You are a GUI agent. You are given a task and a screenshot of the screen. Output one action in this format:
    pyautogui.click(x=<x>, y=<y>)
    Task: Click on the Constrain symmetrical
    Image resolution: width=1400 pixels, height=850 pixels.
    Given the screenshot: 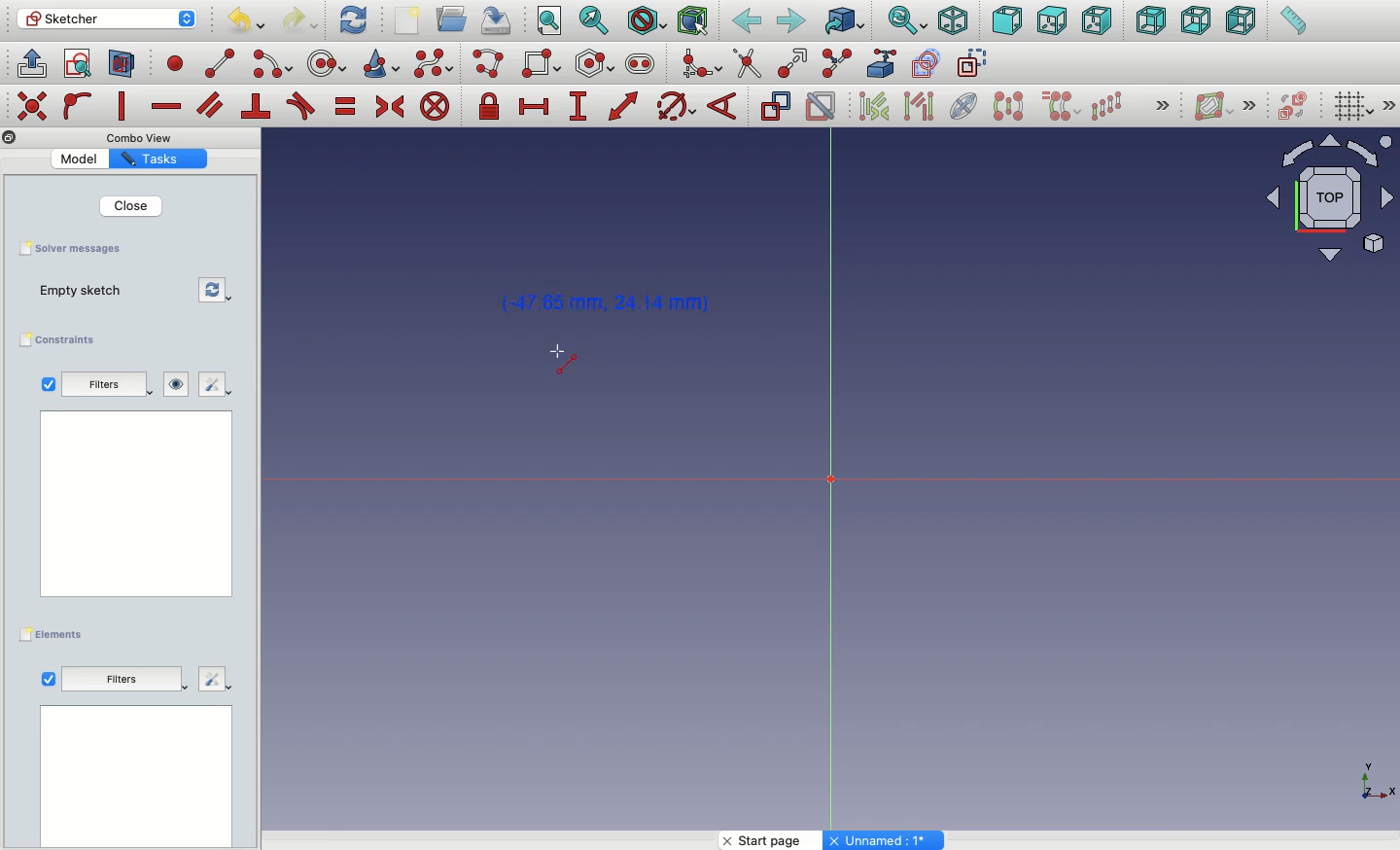 What is the action you would take?
    pyautogui.click(x=390, y=107)
    